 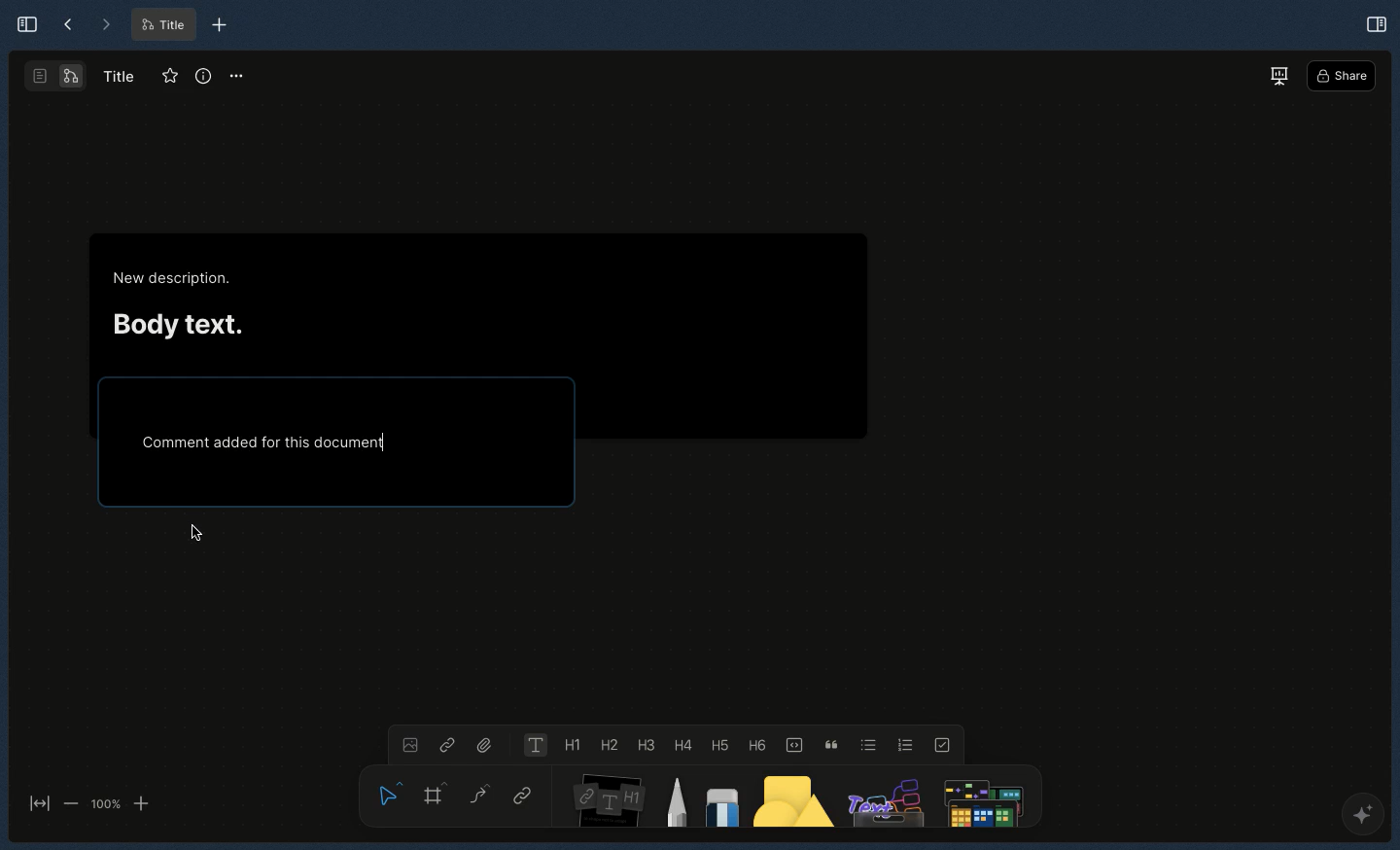 What do you see at coordinates (609, 744) in the screenshot?
I see `Heading 2` at bounding box center [609, 744].